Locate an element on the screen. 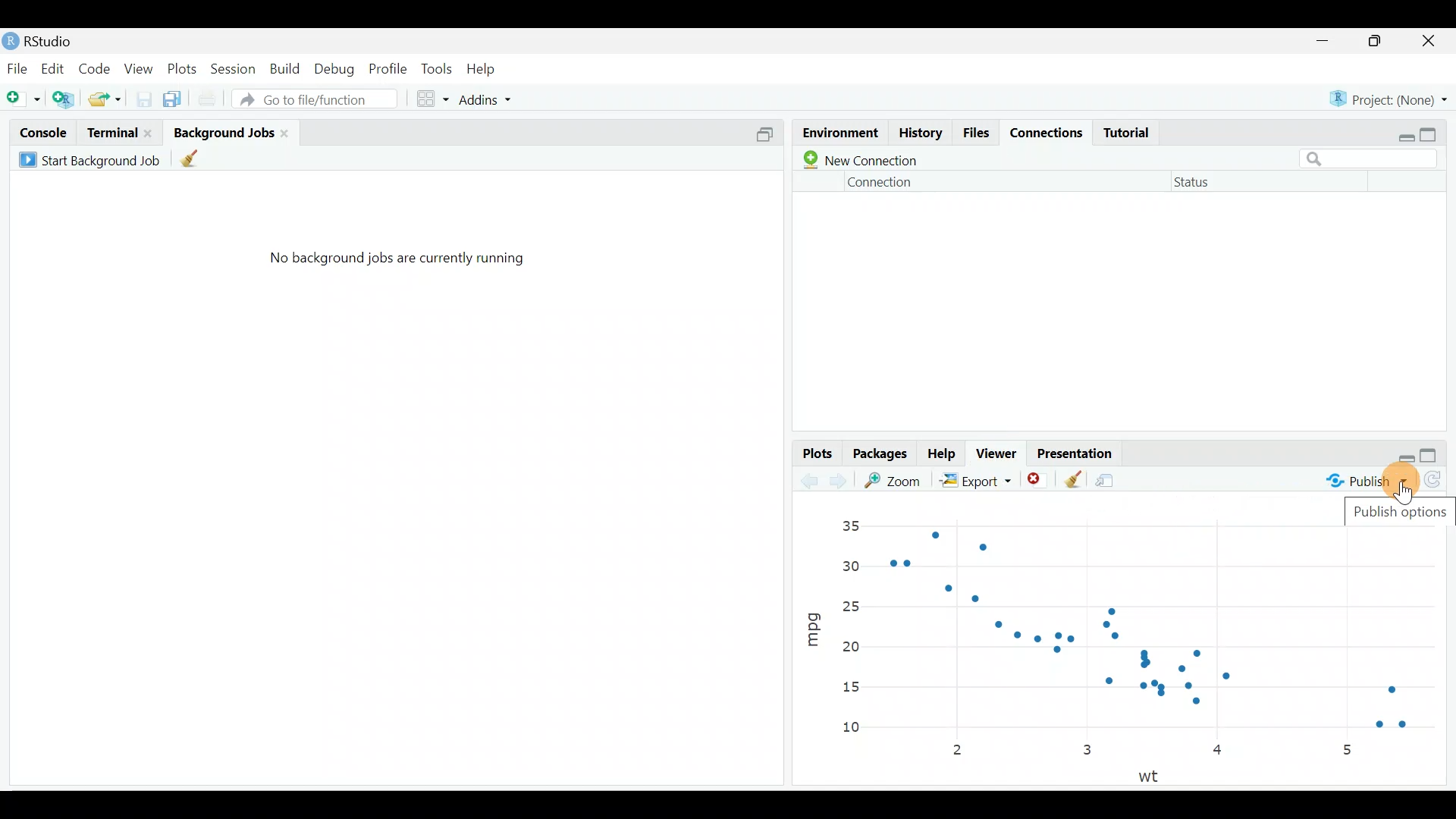  25 is located at coordinates (856, 604).